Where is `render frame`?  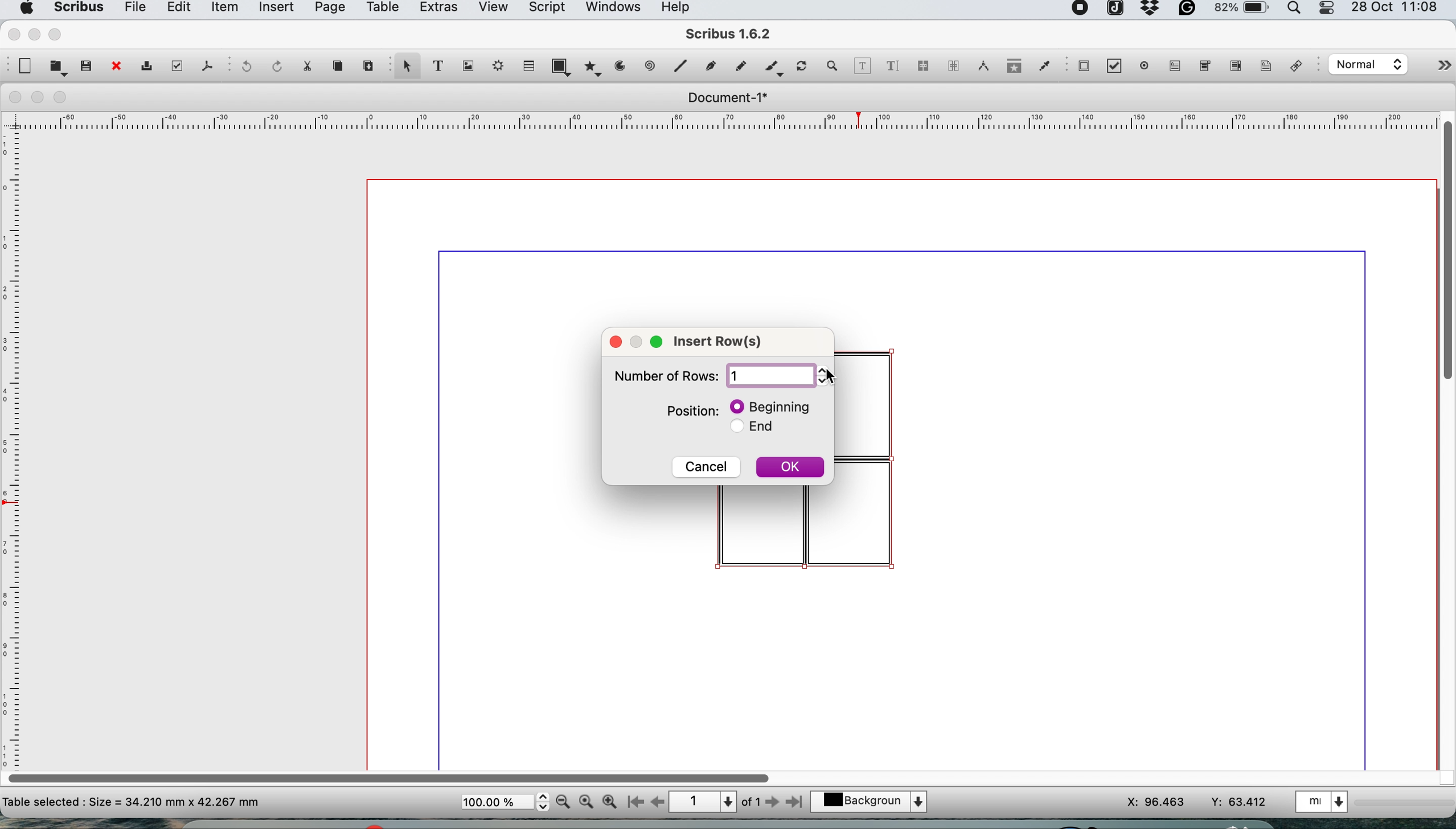 render frame is located at coordinates (495, 65).